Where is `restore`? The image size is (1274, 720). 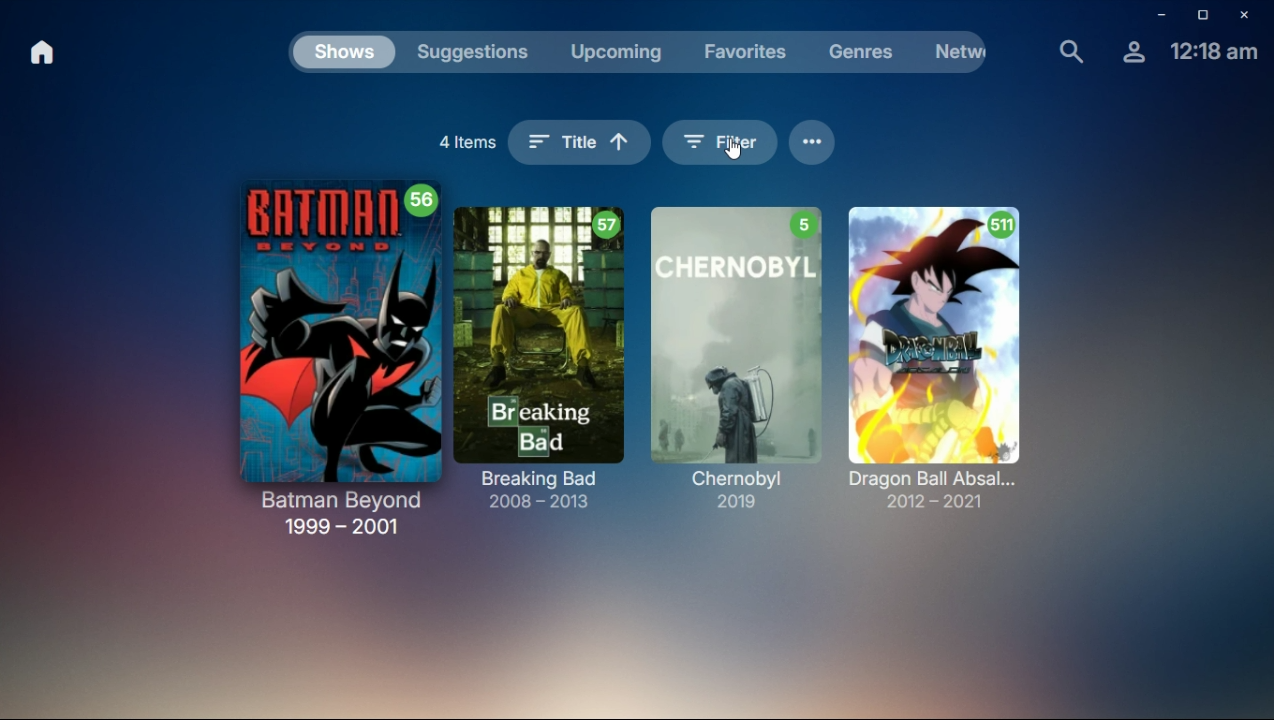
restore is located at coordinates (1204, 17).